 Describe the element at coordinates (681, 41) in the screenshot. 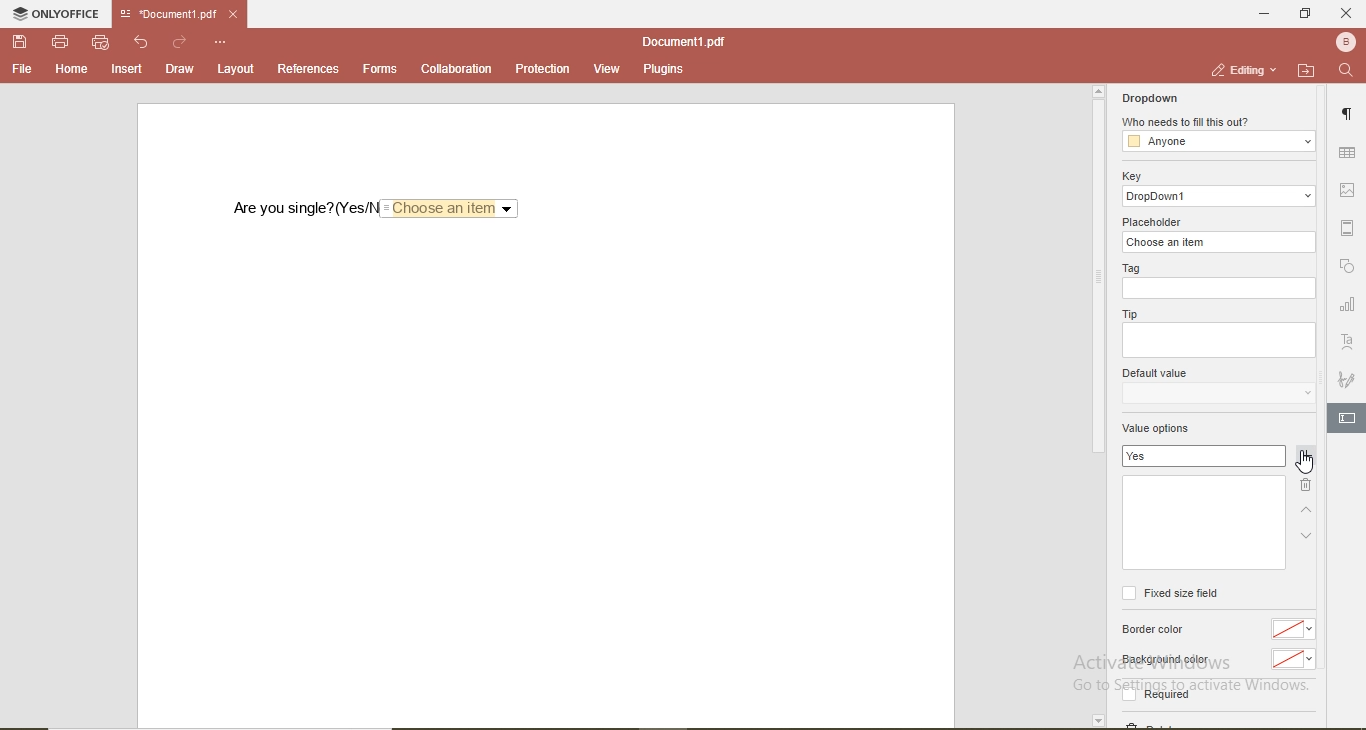

I see `document` at that location.